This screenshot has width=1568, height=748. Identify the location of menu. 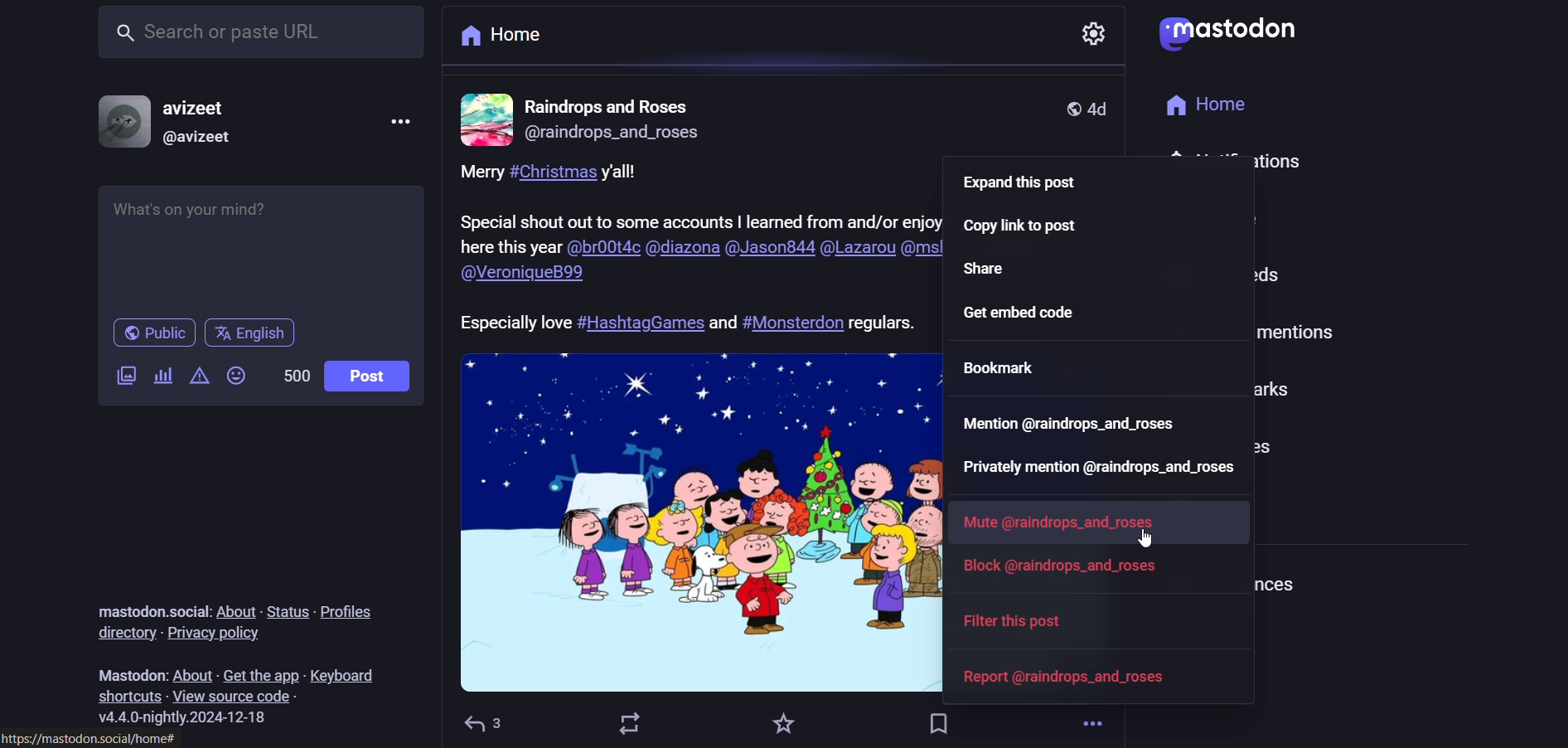
(403, 119).